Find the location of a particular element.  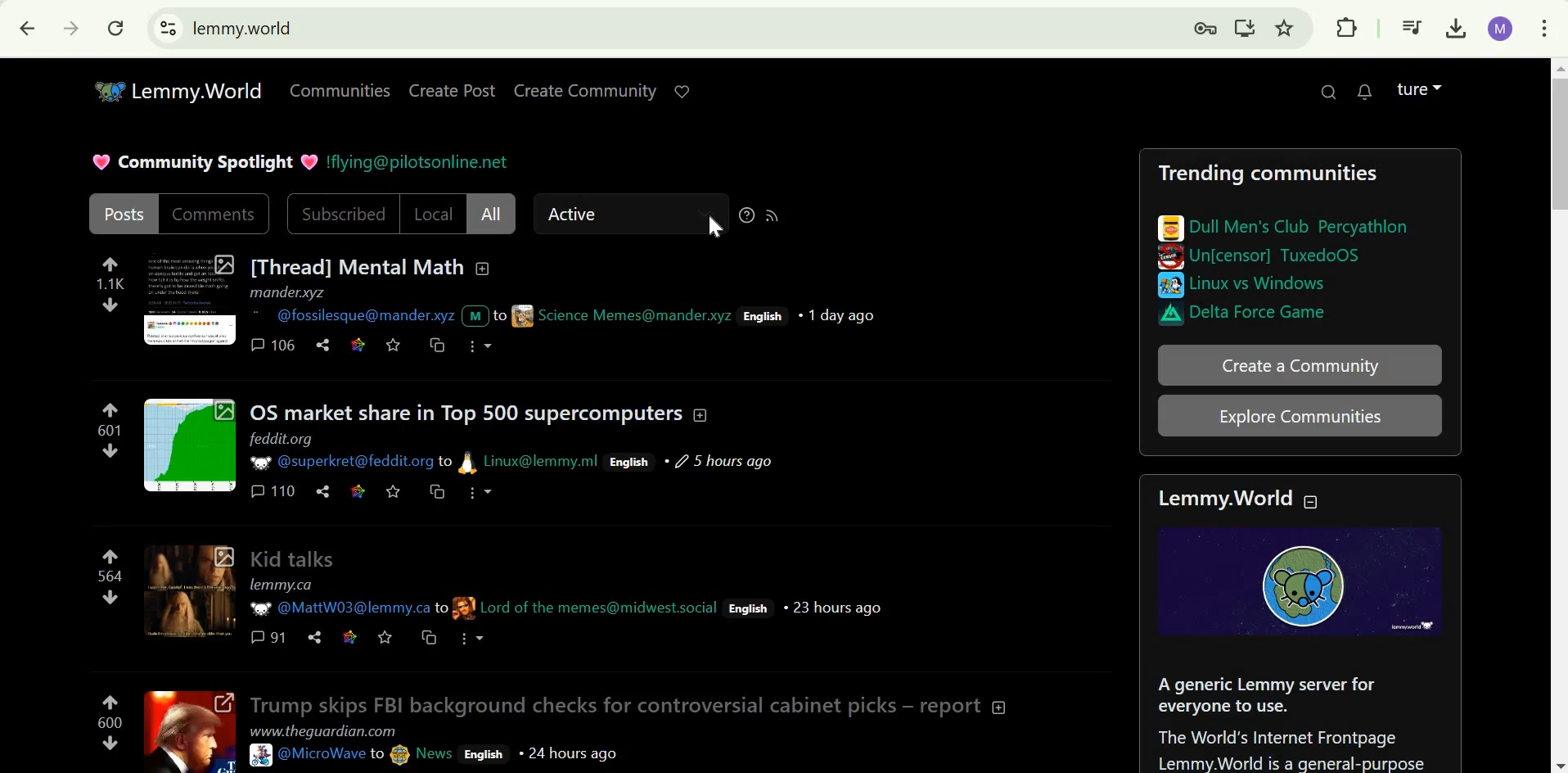

Media controls is located at coordinates (1410, 27).